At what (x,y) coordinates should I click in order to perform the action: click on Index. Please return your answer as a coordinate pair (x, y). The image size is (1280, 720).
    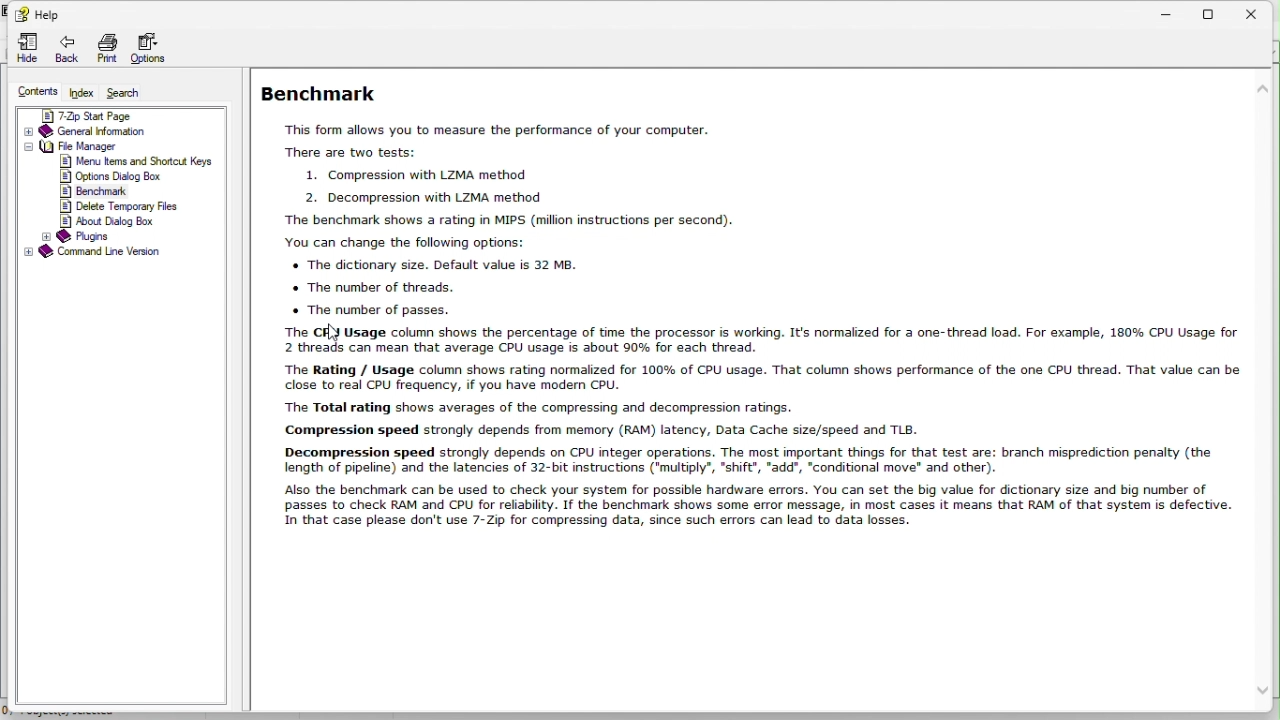
    Looking at the image, I should click on (82, 91).